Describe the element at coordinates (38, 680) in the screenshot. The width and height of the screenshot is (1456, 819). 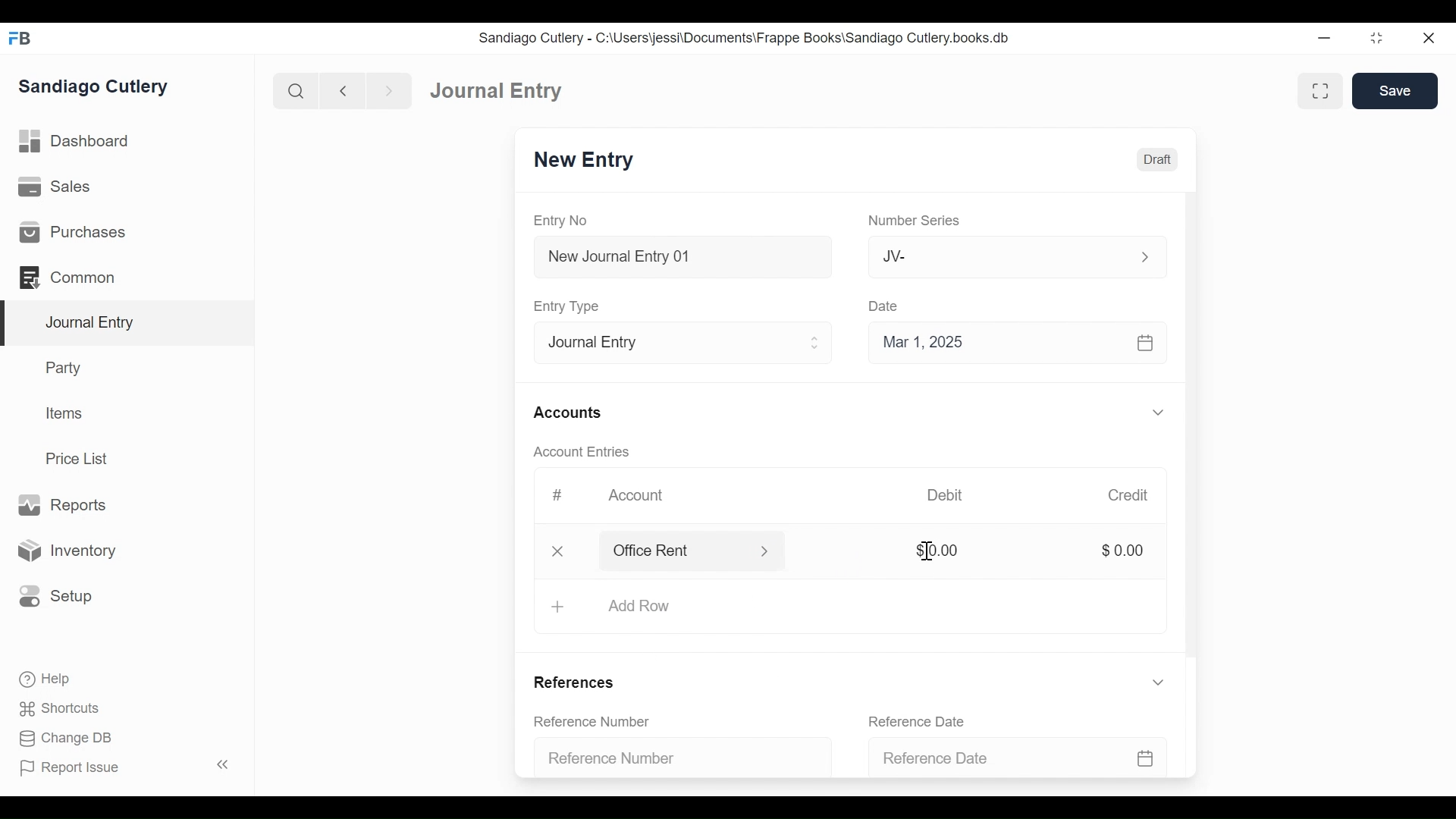
I see `Help` at that location.